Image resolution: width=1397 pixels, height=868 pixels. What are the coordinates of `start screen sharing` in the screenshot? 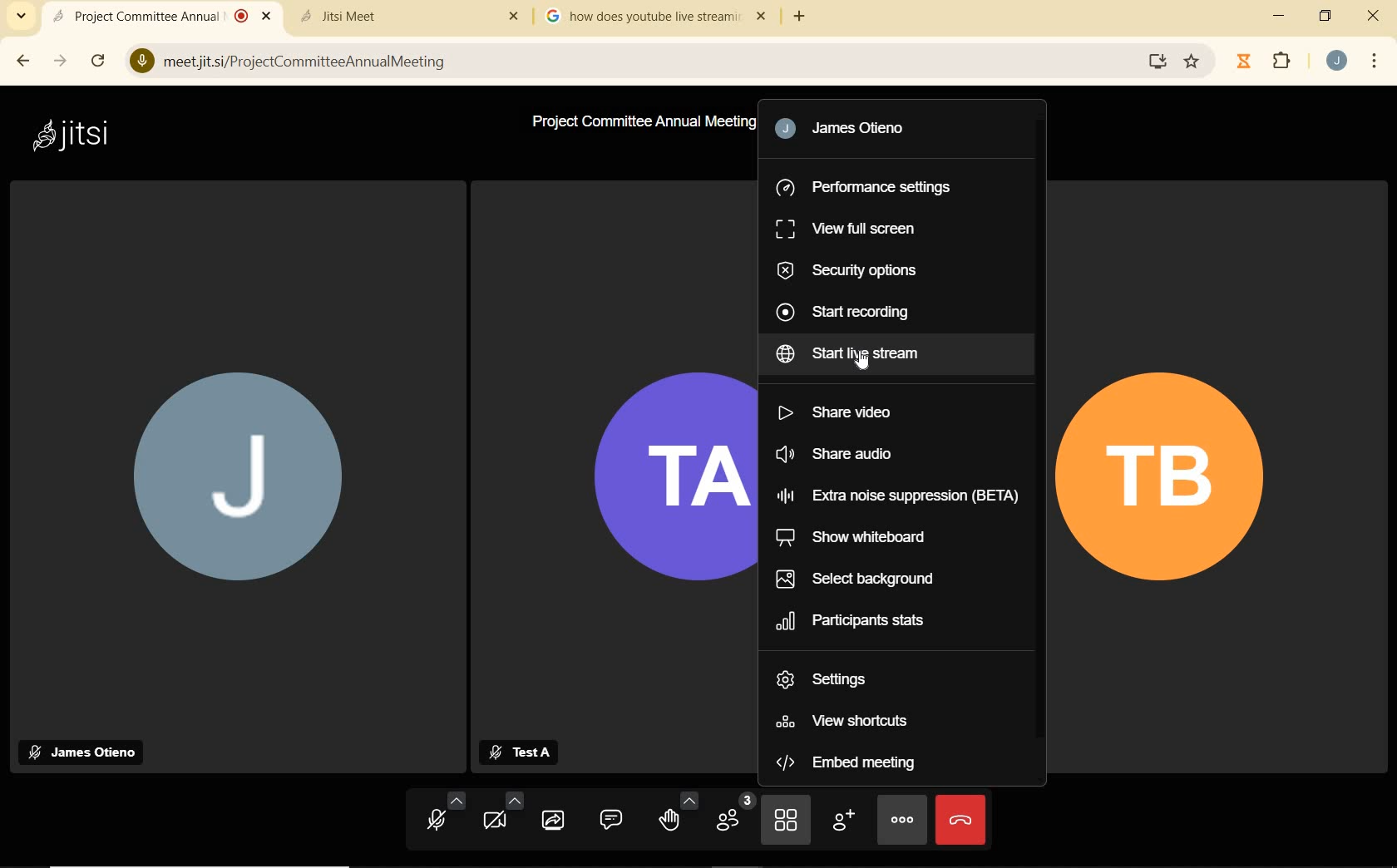 It's located at (556, 820).